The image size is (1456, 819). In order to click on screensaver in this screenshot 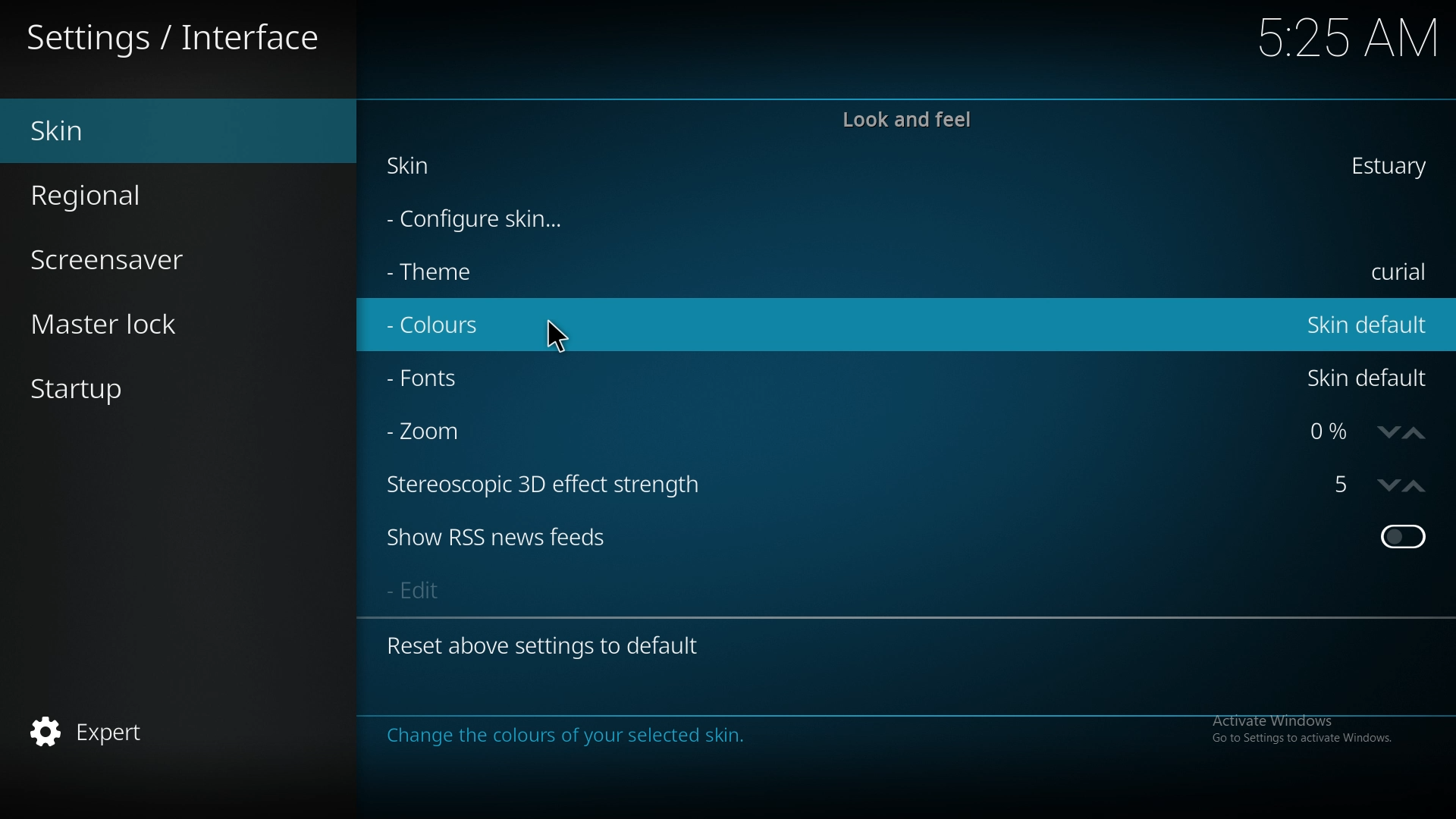, I will do `click(136, 262)`.